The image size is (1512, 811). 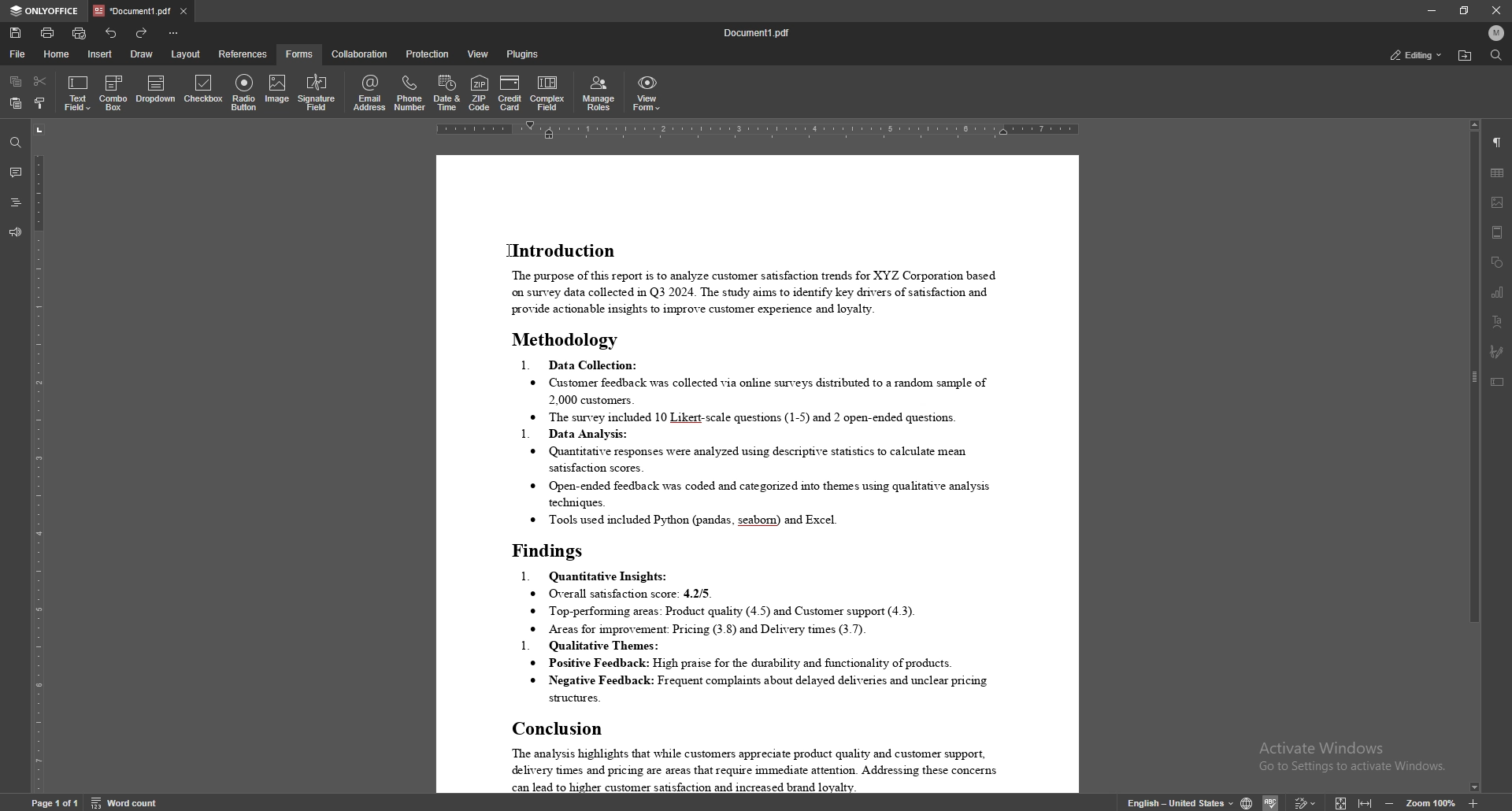 I want to click on text field, so click(x=78, y=92).